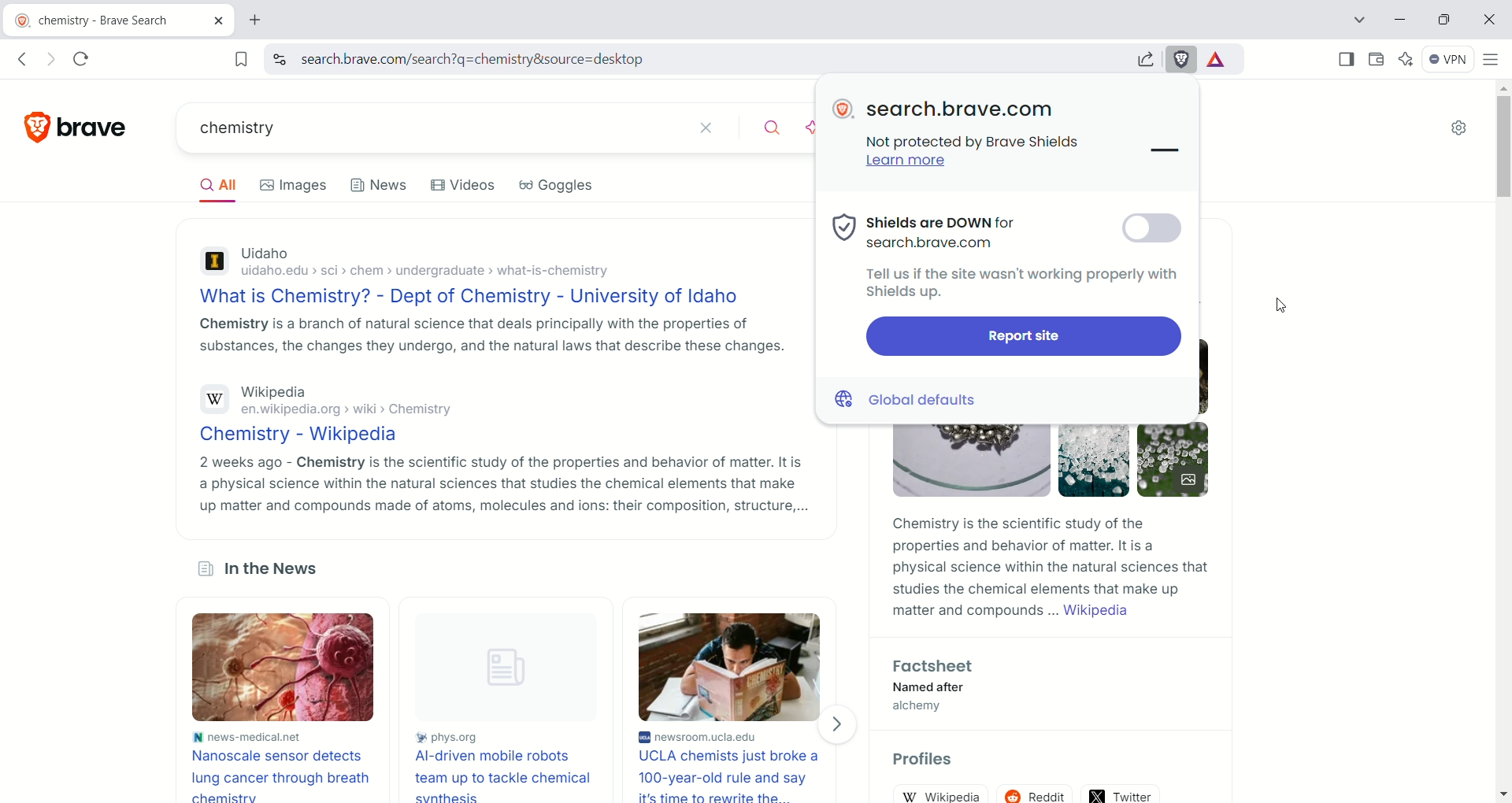  I want to click on search, so click(773, 130).